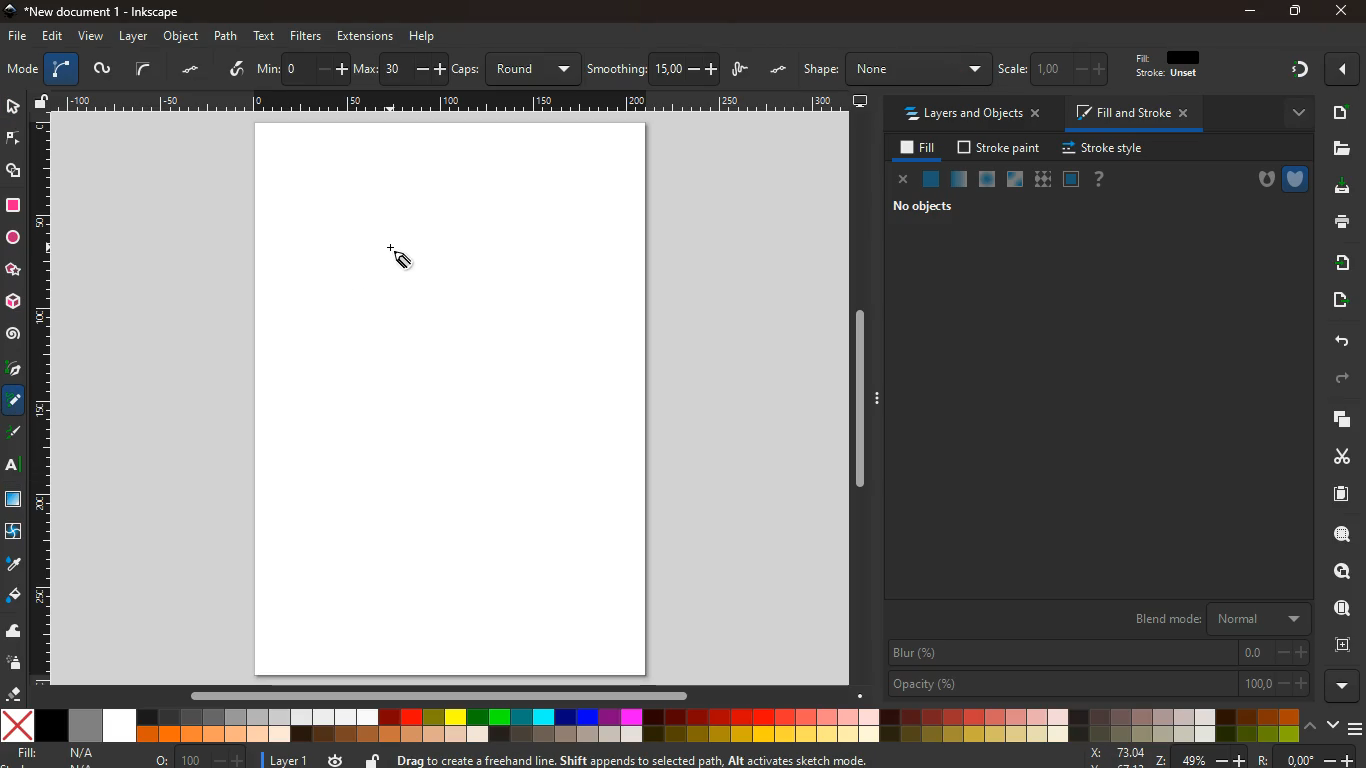  What do you see at coordinates (200, 759) in the screenshot?
I see `o` at bounding box center [200, 759].